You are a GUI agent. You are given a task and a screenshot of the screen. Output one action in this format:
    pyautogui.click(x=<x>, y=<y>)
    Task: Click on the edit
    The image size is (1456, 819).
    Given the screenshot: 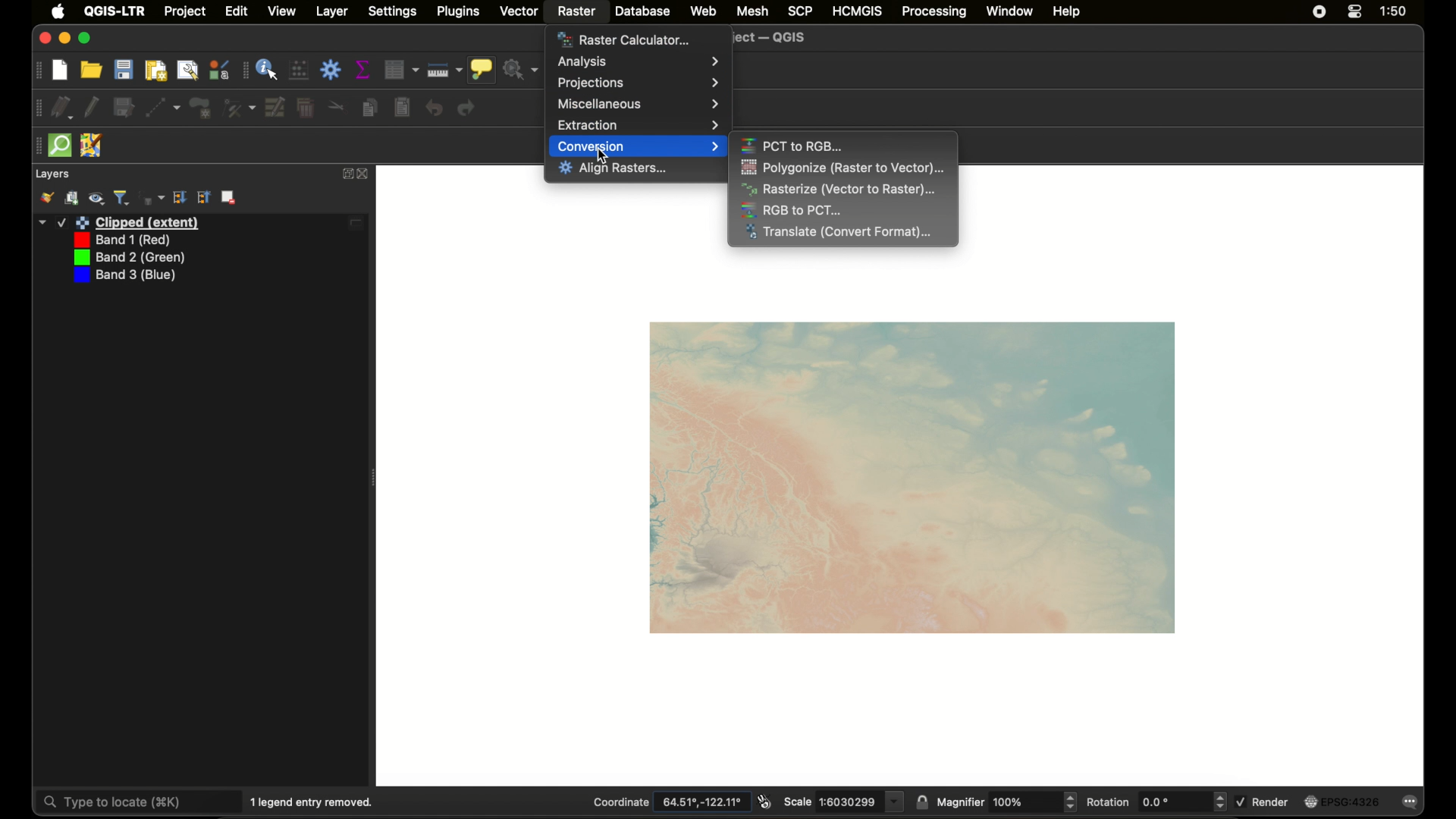 What is the action you would take?
    pyautogui.click(x=237, y=11)
    